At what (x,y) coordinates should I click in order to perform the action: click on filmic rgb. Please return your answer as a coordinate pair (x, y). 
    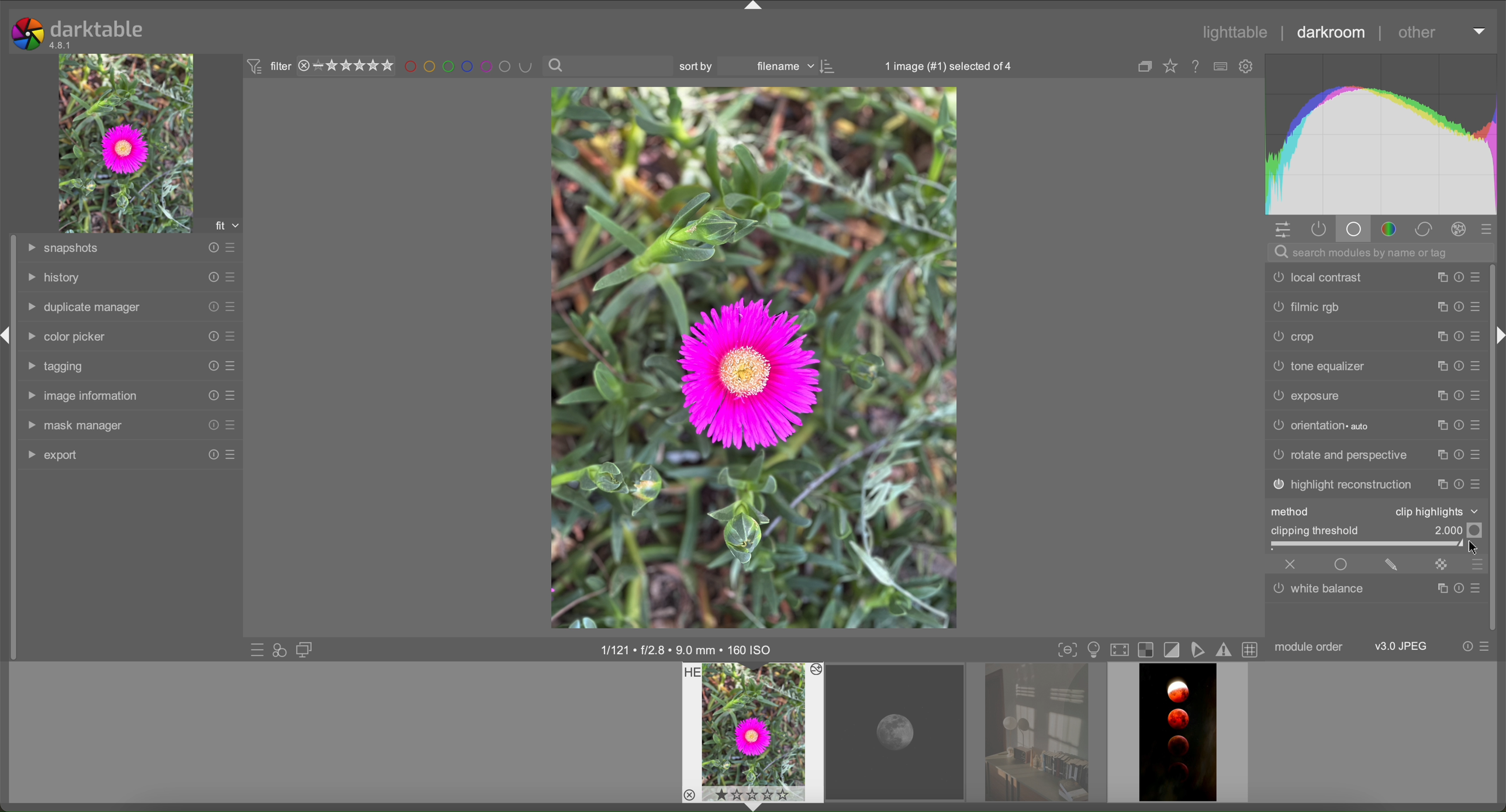
    Looking at the image, I should click on (1306, 307).